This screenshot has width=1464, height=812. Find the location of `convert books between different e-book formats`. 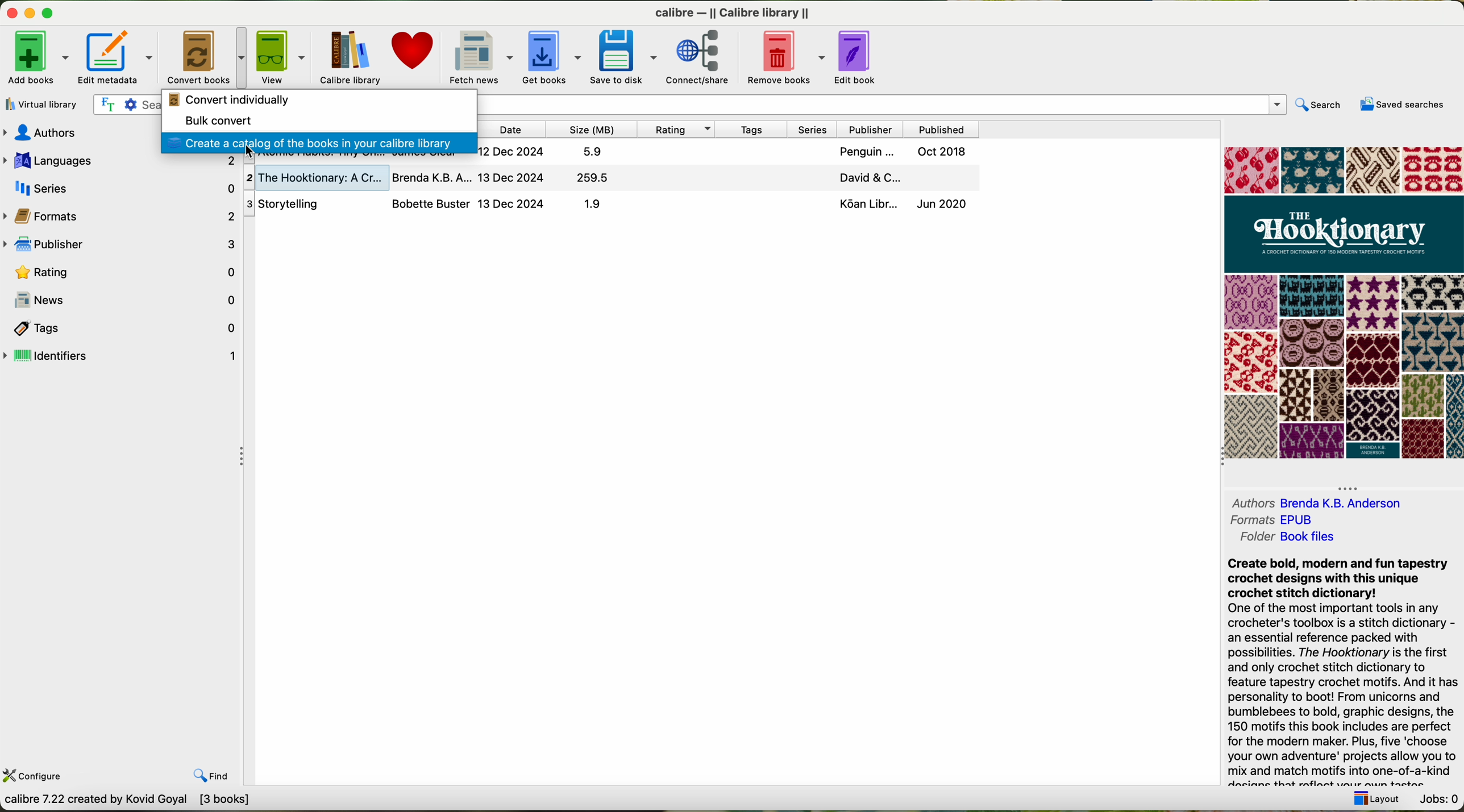

convert books between different e-book formats is located at coordinates (126, 802).